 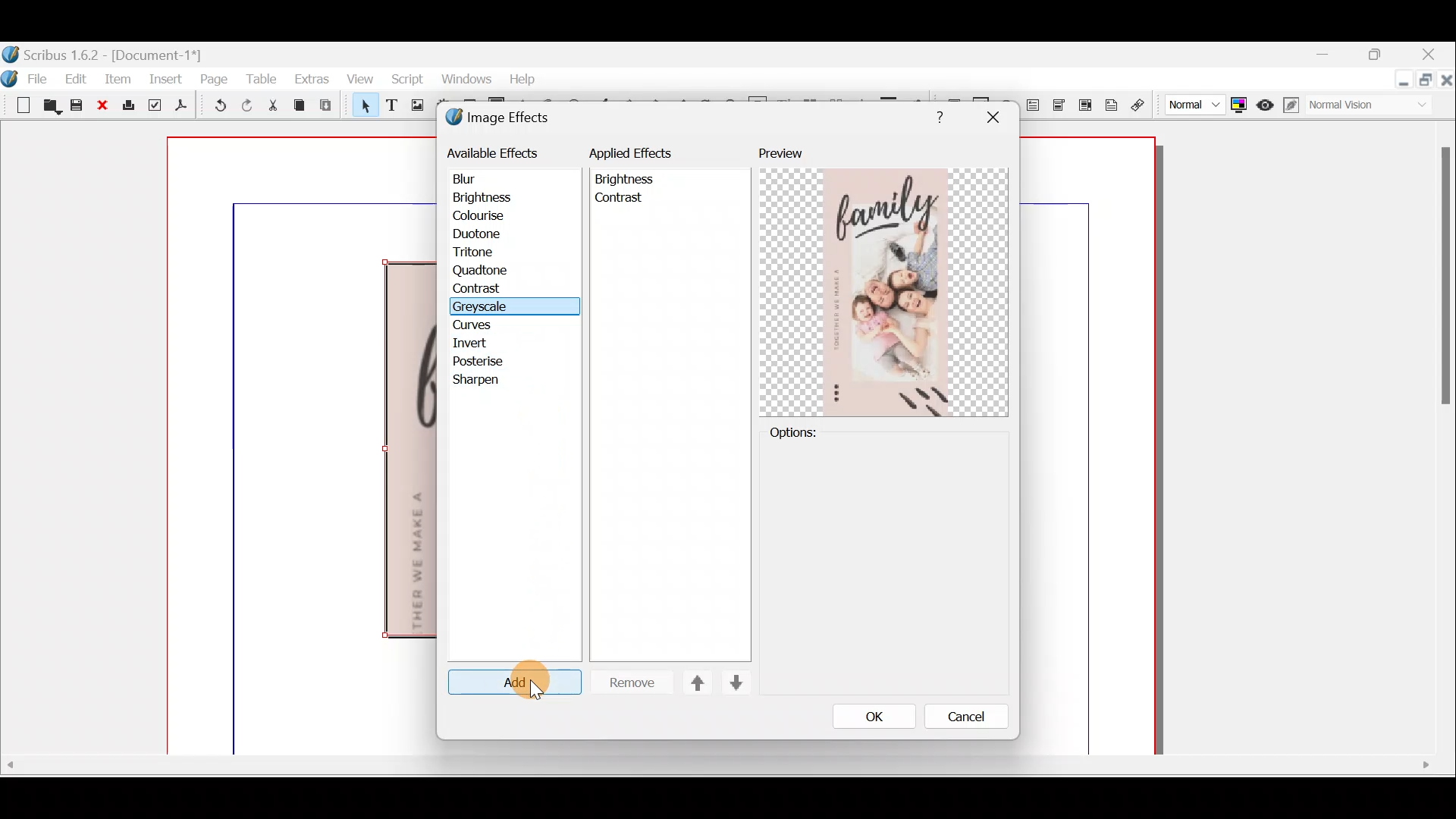 I want to click on Toggle colour management system, so click(x=1238, y=106).